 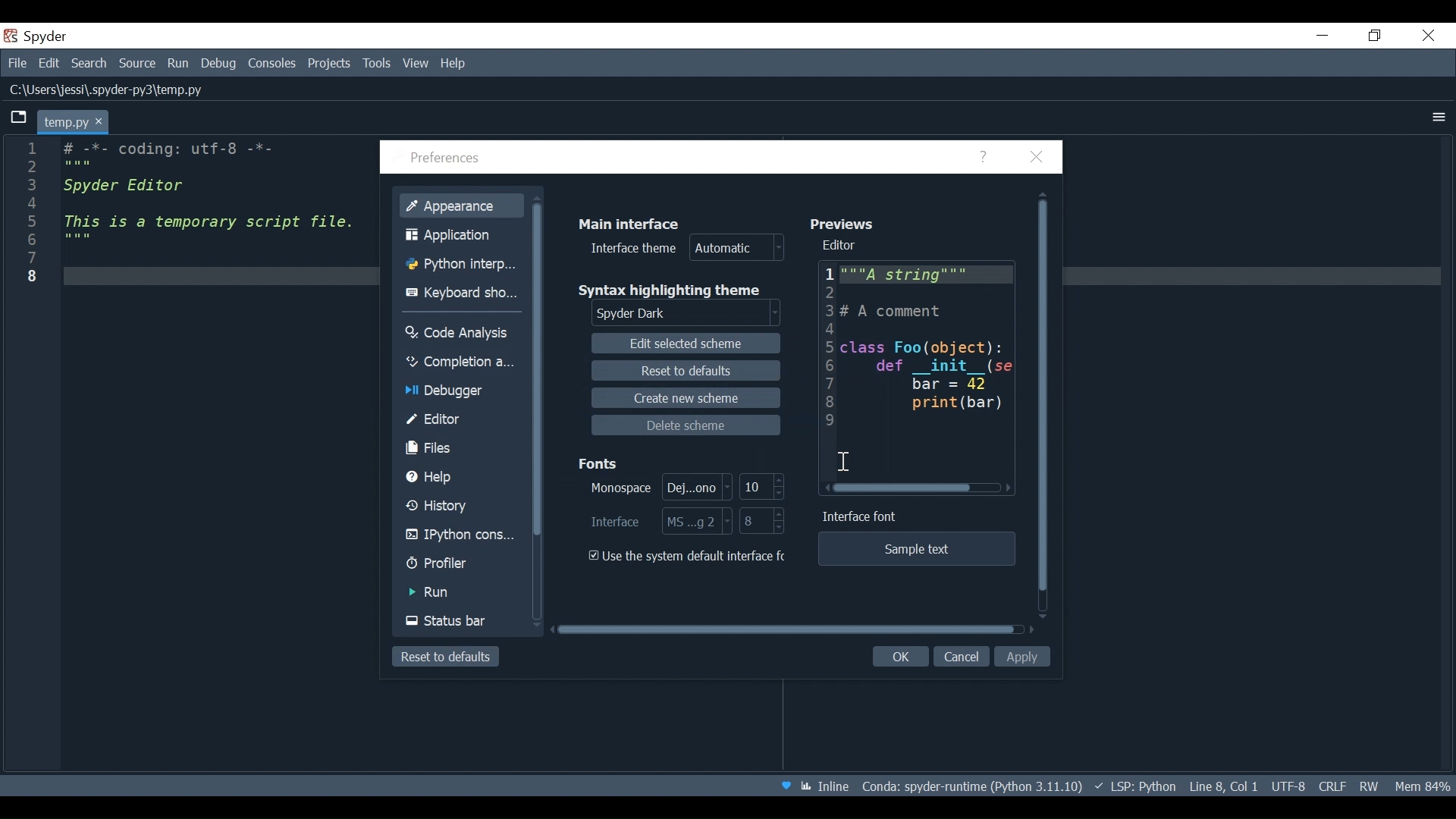 I want to click on History, so click(x=461, y=507).